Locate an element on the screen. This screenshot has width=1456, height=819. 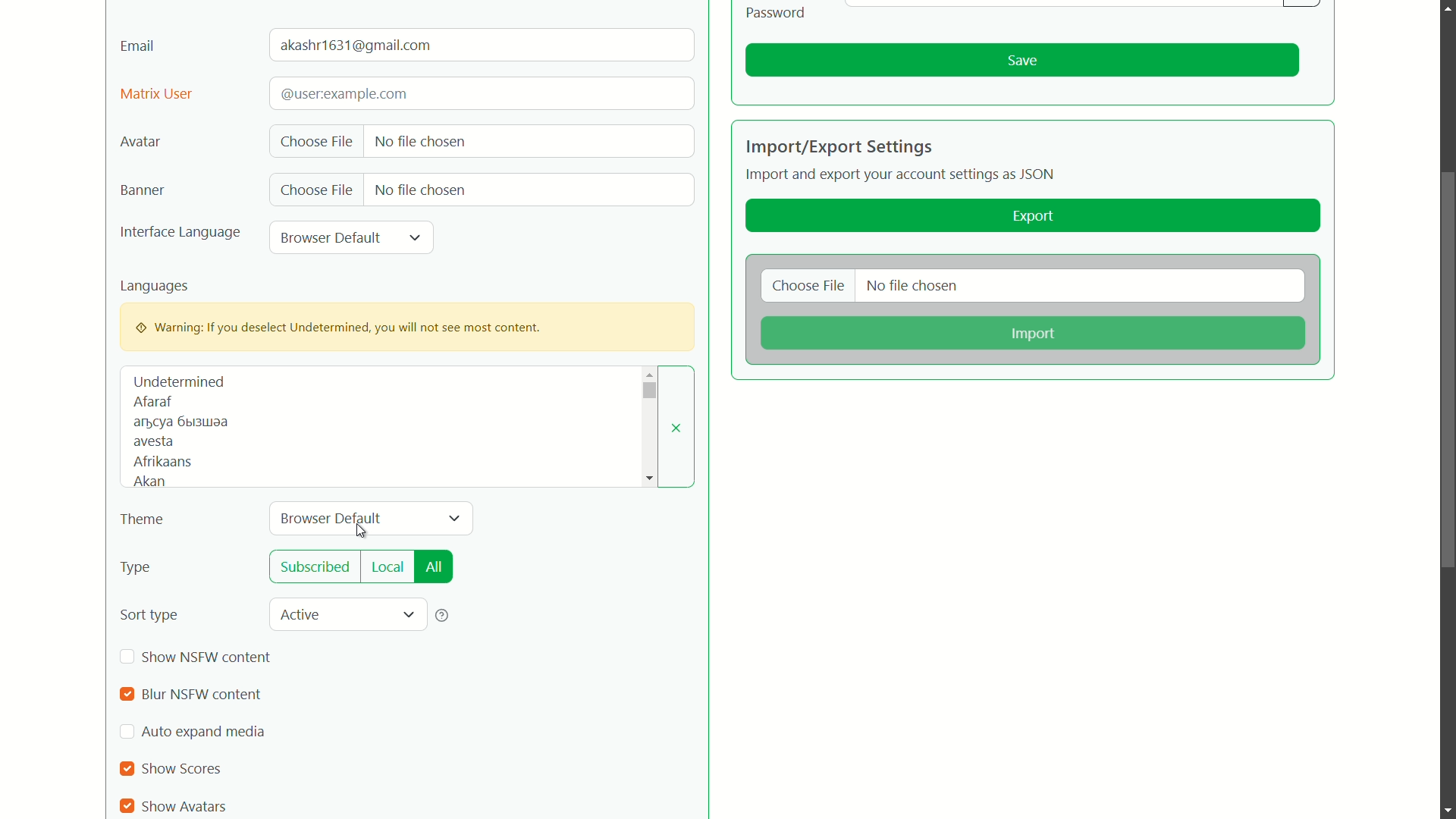
browser default is located at coordinates (333, 518).